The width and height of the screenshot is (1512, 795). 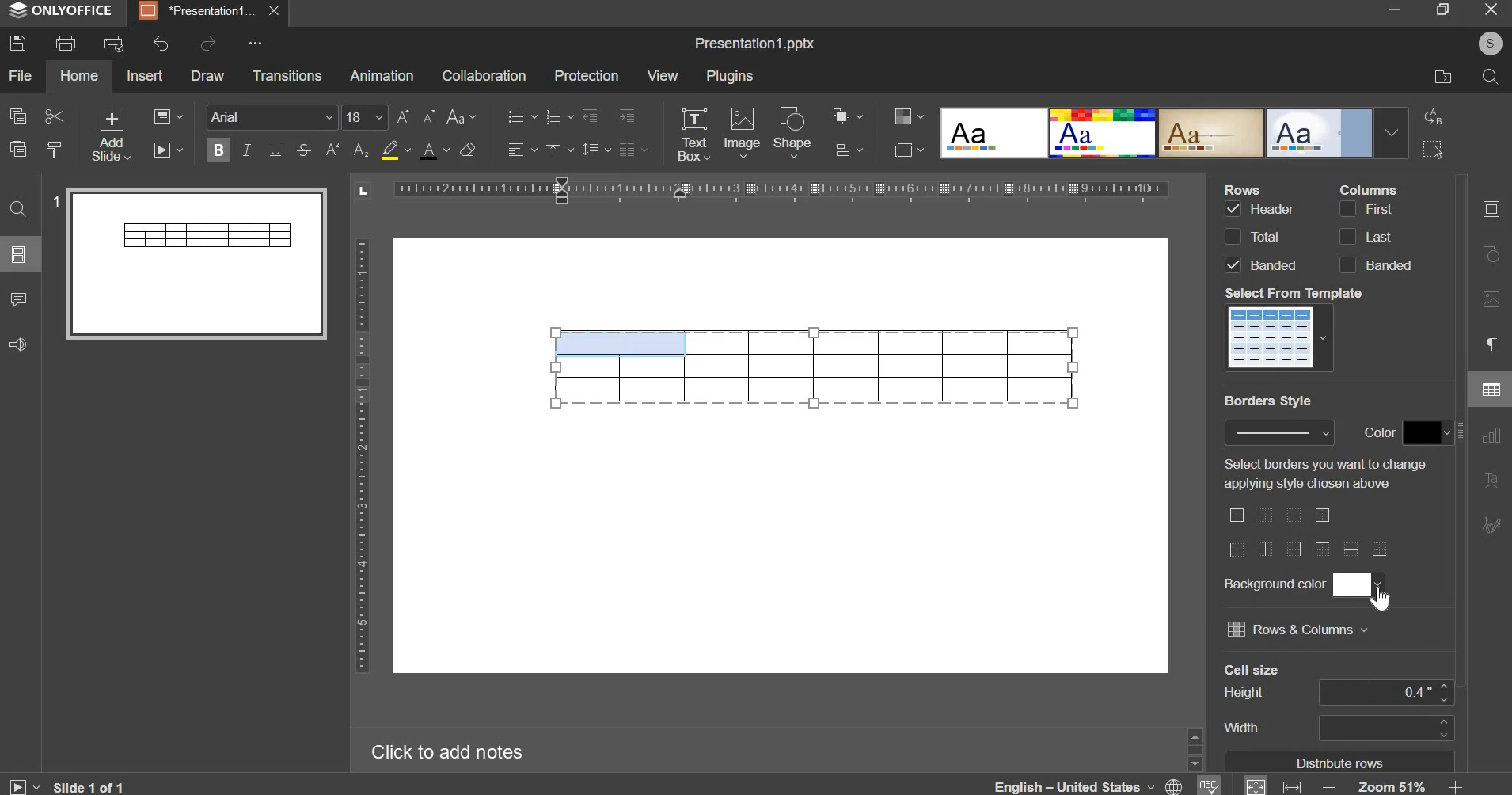 I want to click on paste, so click(x=17, y=147).